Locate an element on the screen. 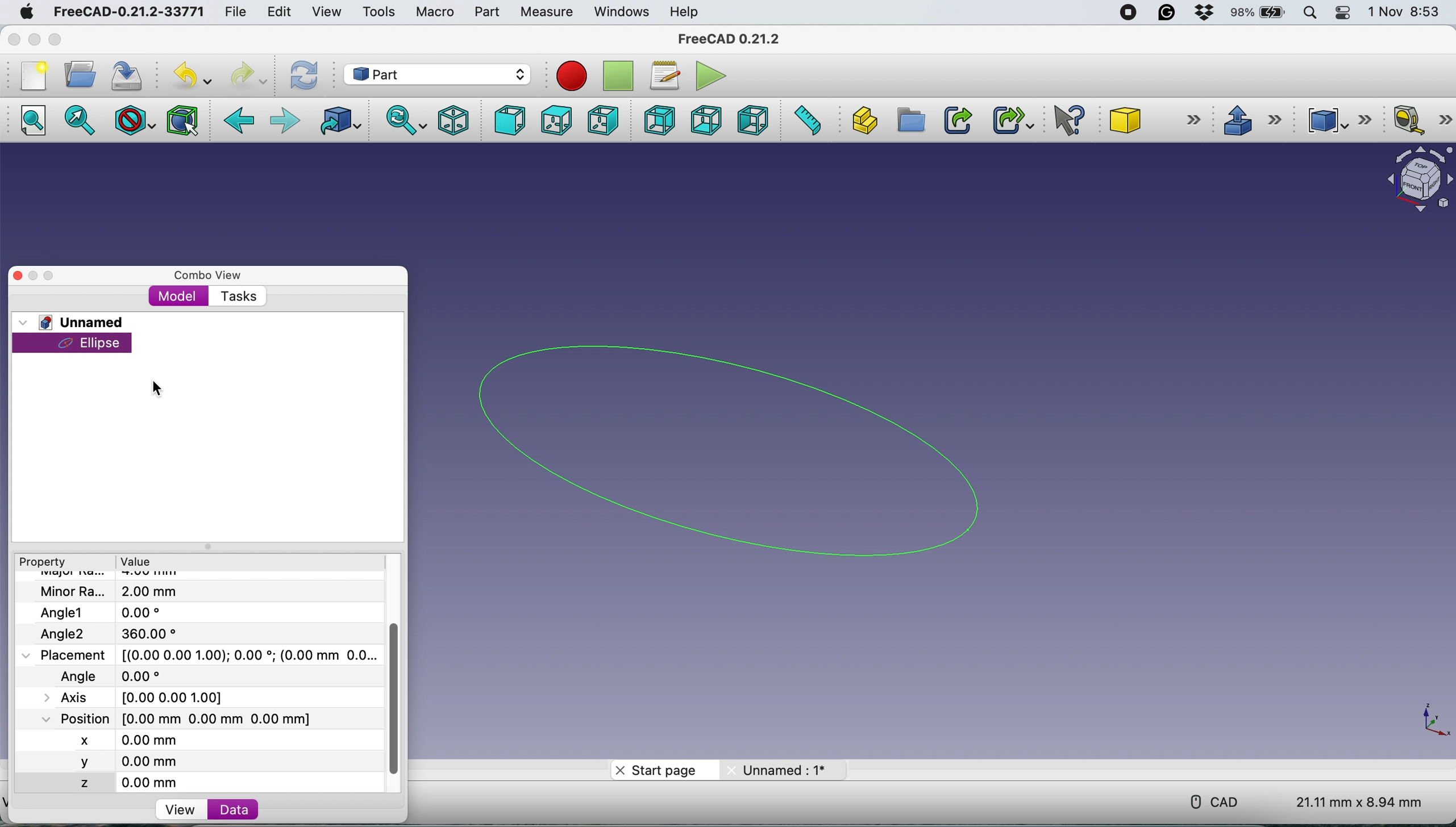 This screenshot has width=1456, height=827. left is located at coordinates (752, 120).